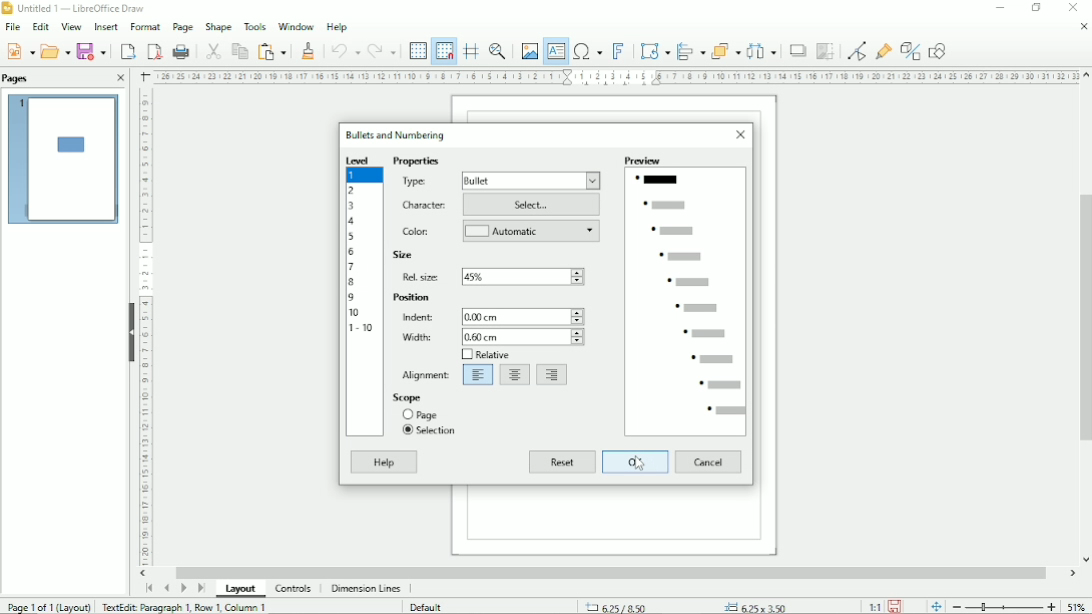  What do you see at coordinates (936, 607) in the screenshot?
I see `fit page to current window` at bounding box center [936, 607].